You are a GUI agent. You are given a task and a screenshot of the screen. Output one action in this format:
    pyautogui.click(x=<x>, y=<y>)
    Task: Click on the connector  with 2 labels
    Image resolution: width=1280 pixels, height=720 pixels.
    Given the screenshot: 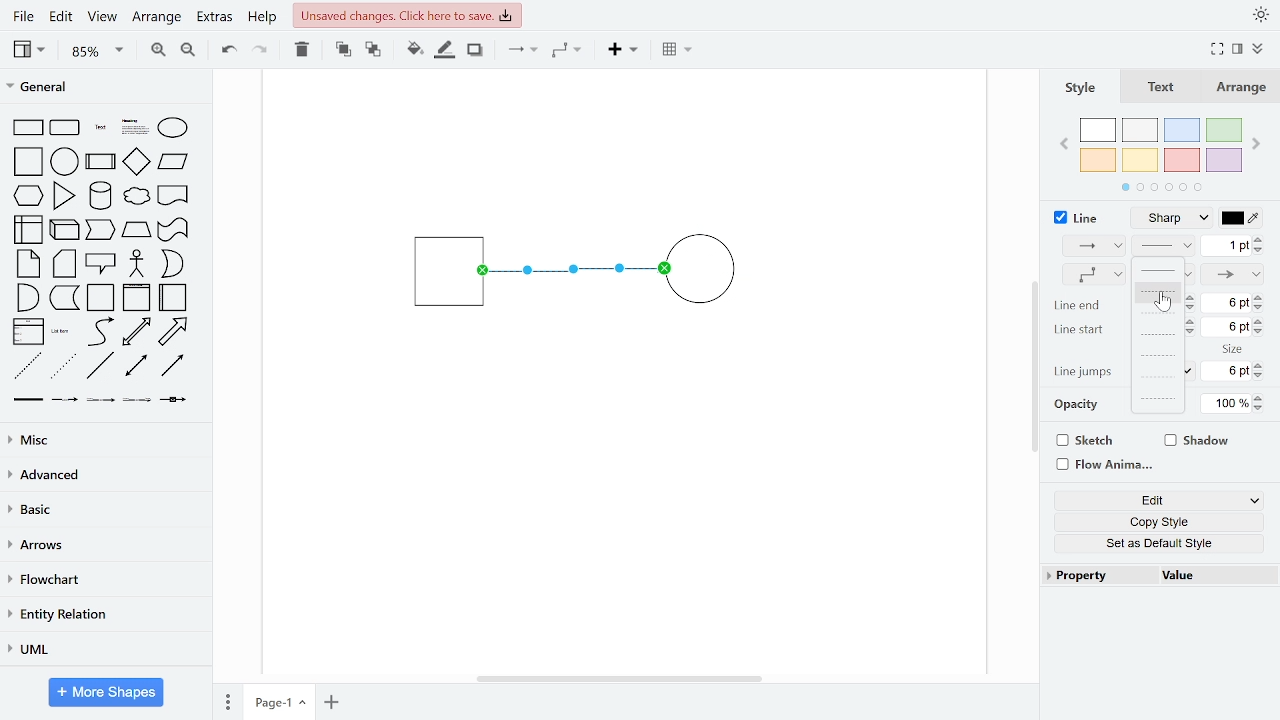 What is the action you would take?
    pyautogui.click(x=102, y=400)
    